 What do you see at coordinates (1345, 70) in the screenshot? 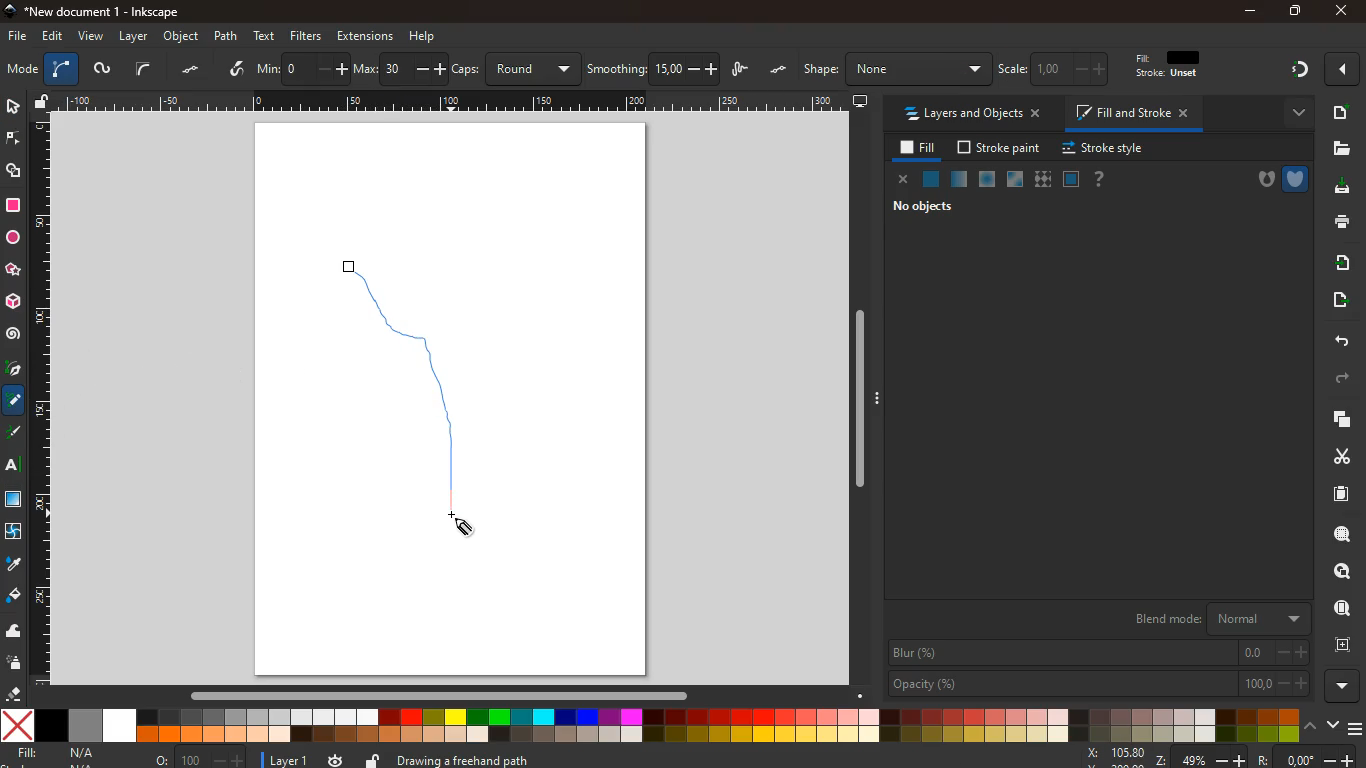
I see `close` at bounding box center [1345, 70].